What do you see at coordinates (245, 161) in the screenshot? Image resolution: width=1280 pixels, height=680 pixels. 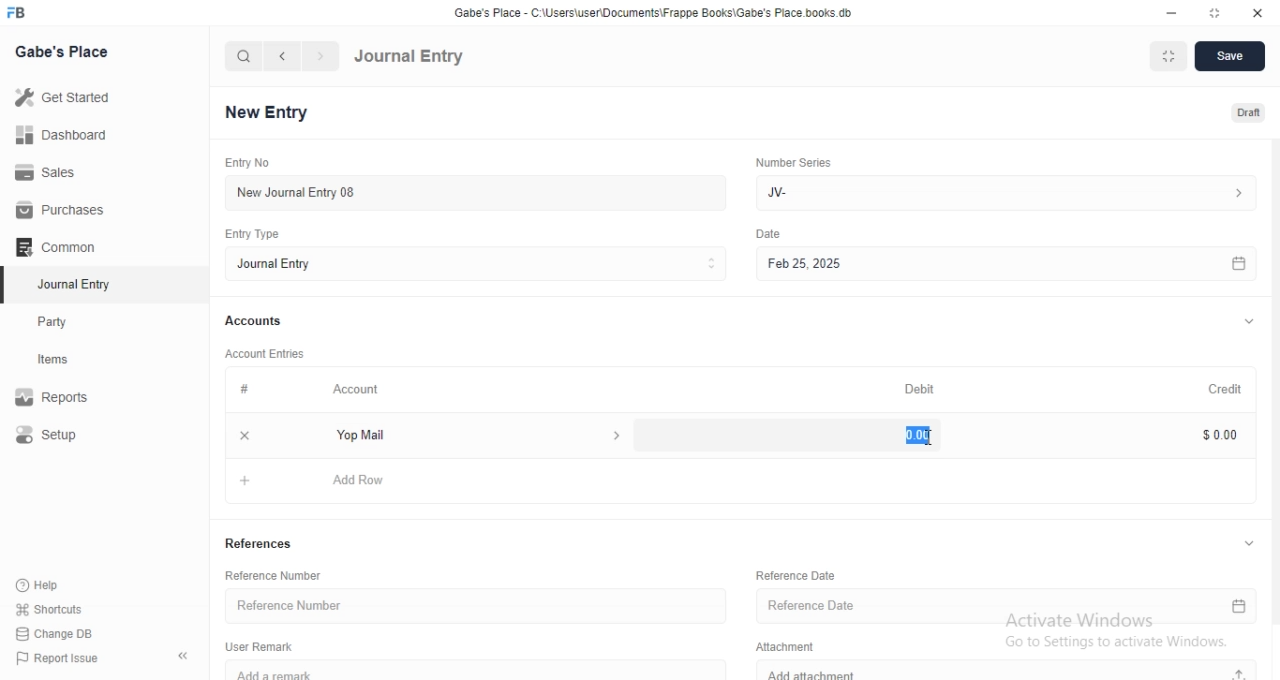 I see `Entry No` at bounding box center [245, 161].